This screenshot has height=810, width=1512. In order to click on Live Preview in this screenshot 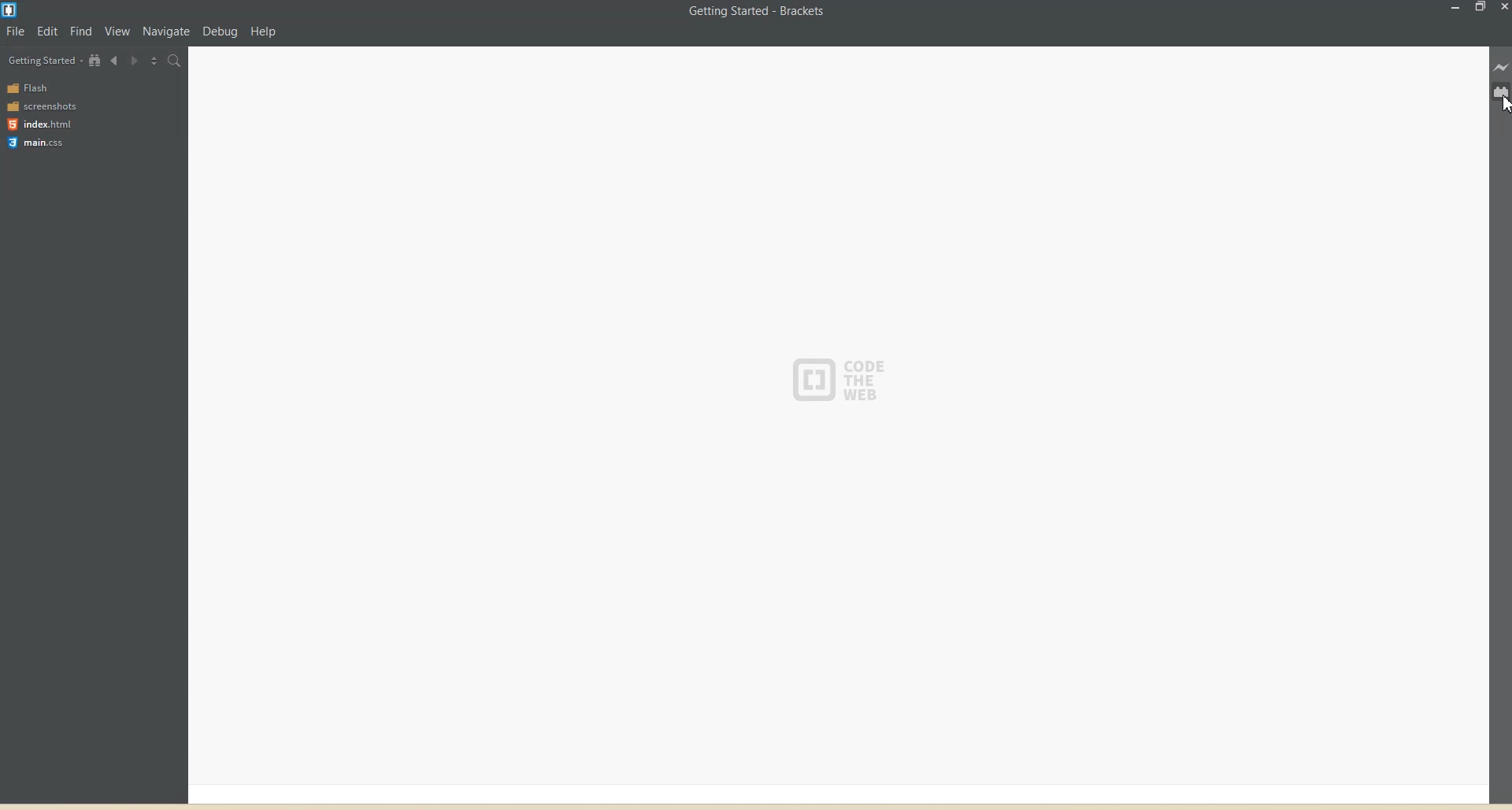, I will do `click(1502, 68)`.